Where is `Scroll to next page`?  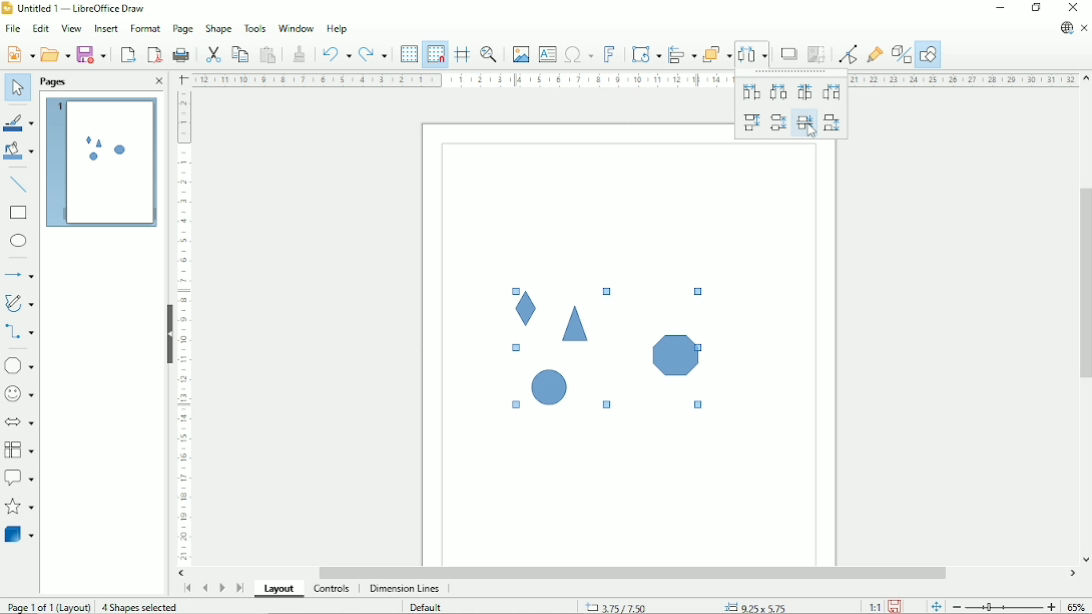
Scroll to next page is located at coordinates (222, 586).